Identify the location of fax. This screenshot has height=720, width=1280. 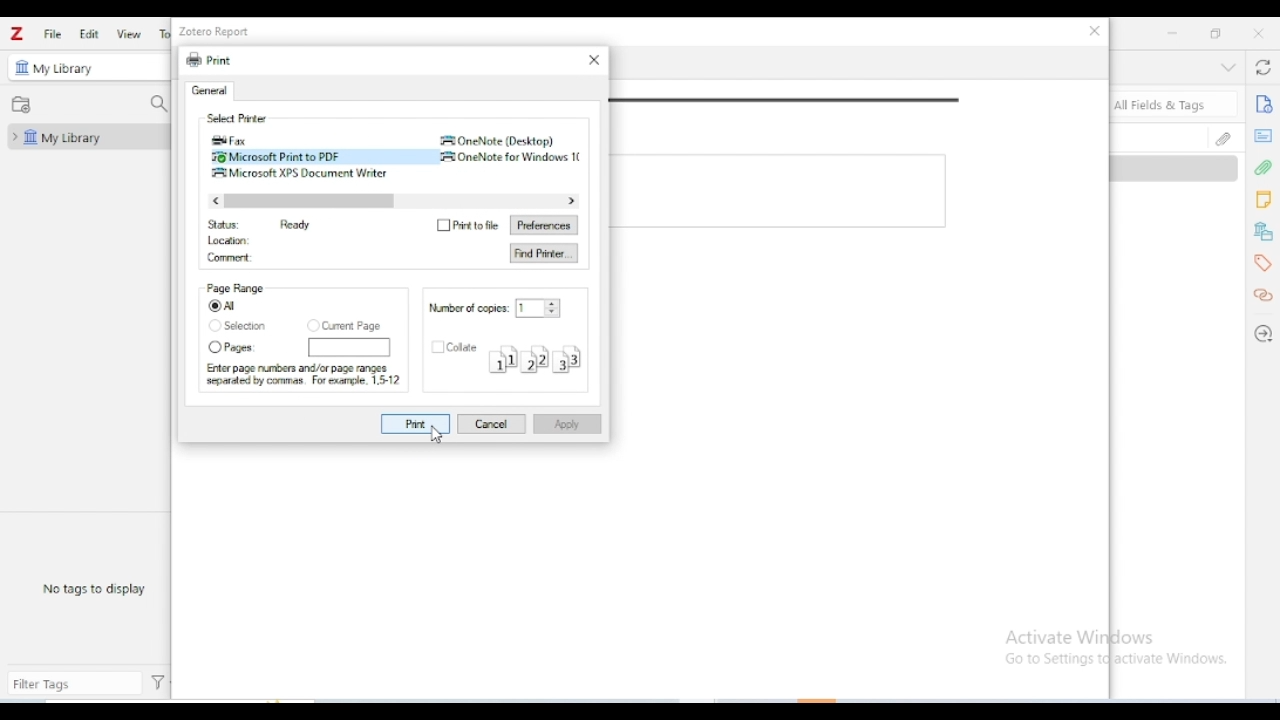
(232, 140).